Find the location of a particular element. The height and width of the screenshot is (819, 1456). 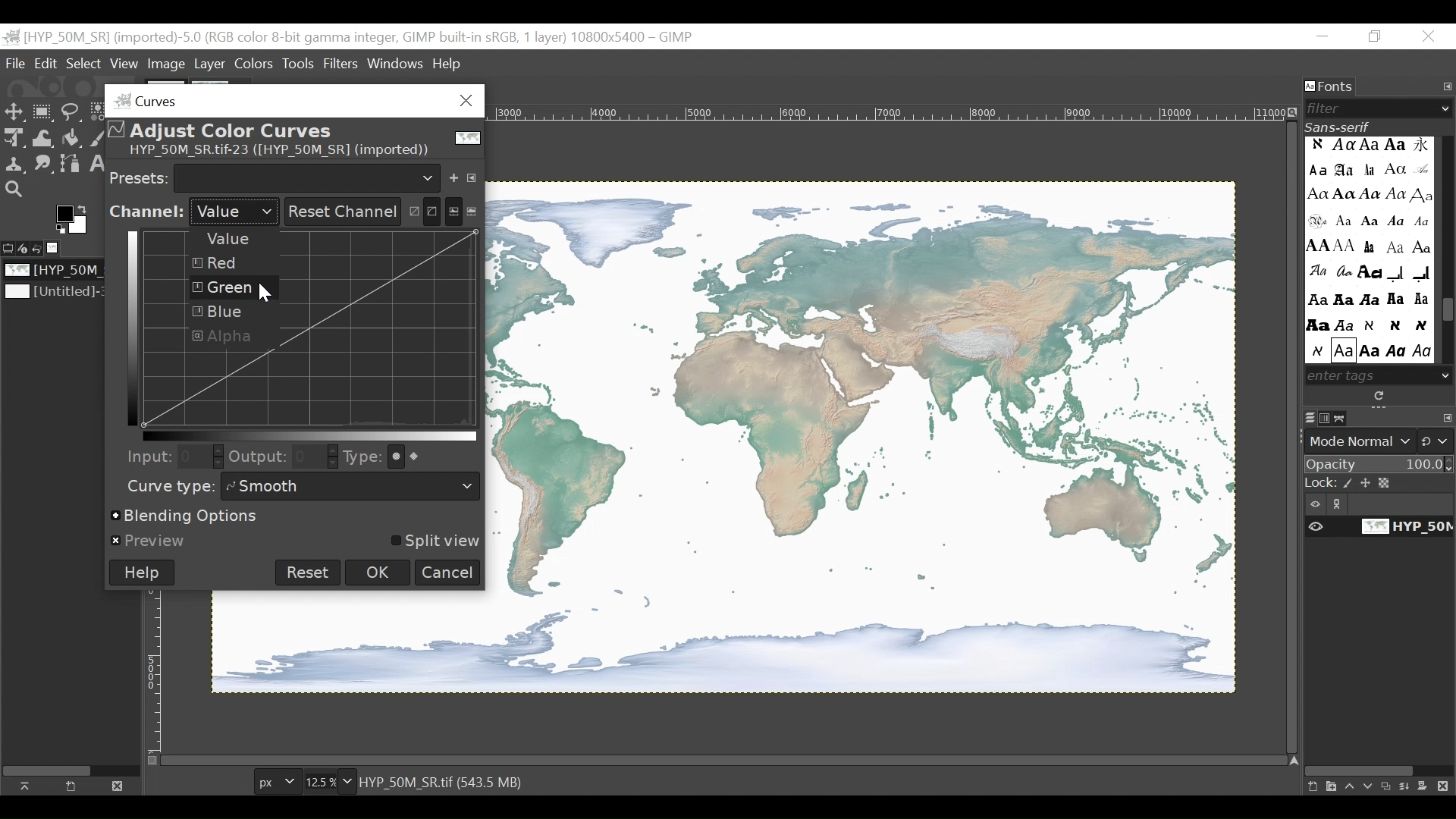

Help is located at coordinates (447, 65).